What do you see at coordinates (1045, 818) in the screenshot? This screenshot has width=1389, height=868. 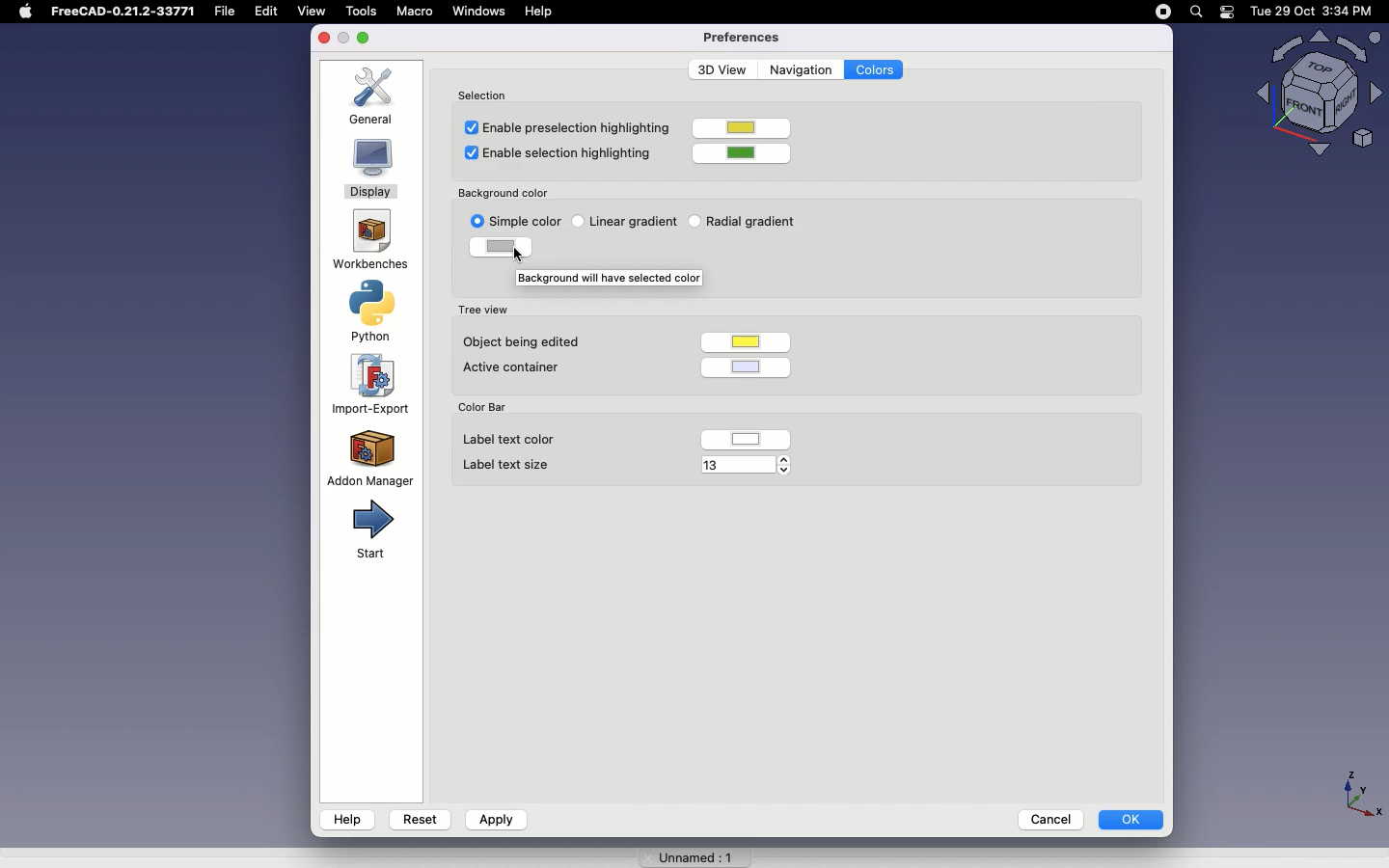 I see `Cancel` at bounding box center [1045, 818].